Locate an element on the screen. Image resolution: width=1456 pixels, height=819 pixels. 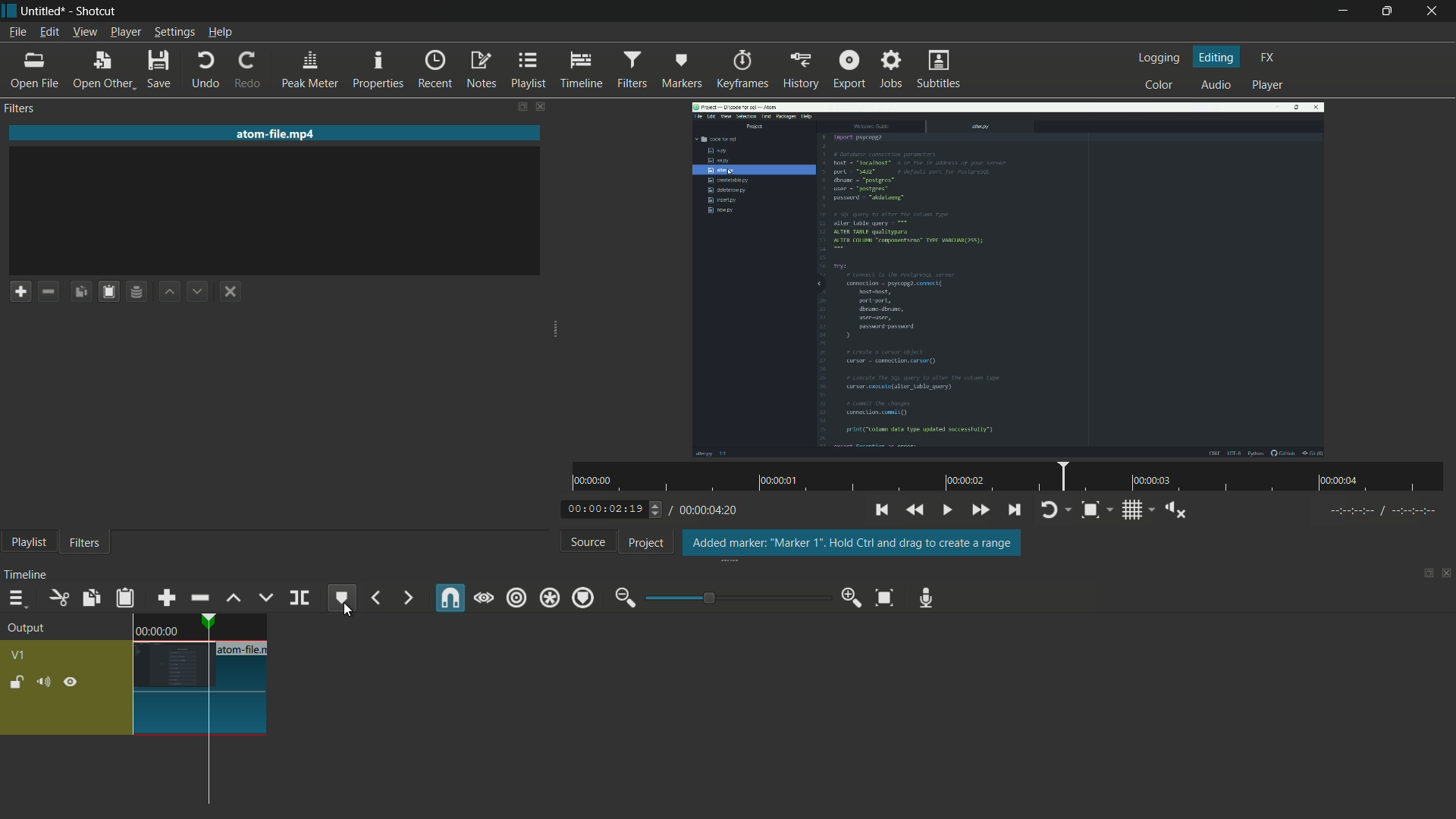
jobs is located at coordinates (891, 69).